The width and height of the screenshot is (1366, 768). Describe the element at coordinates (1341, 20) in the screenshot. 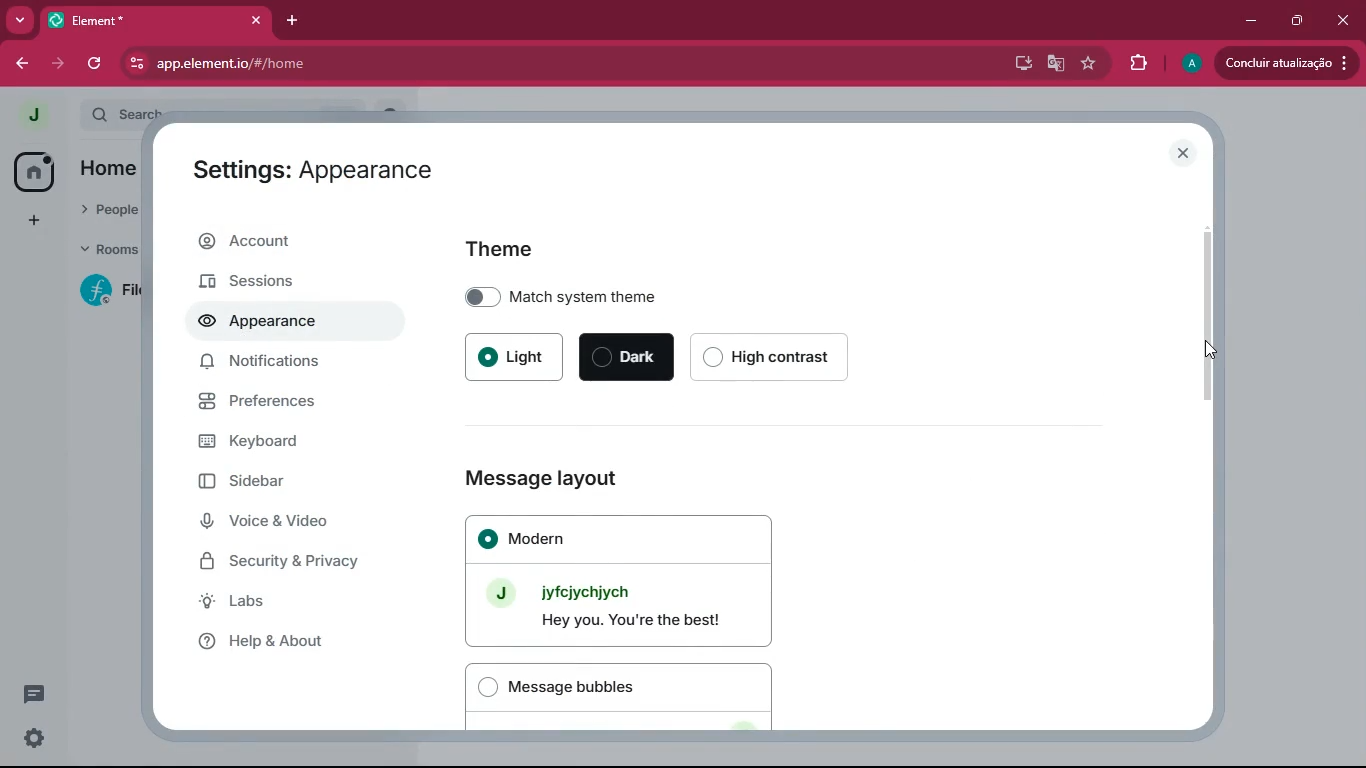

I see `close` at that location.